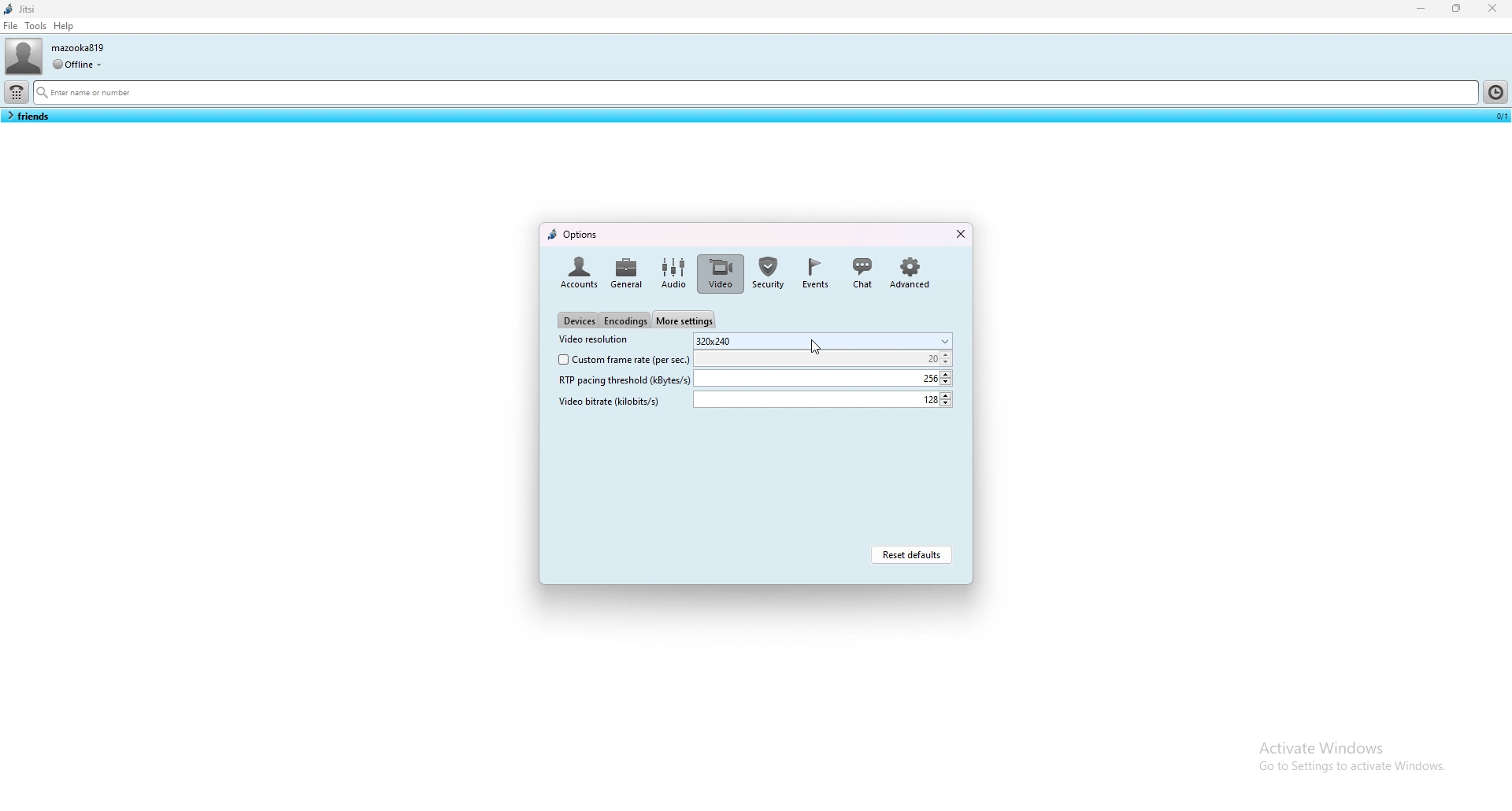 This screenshot has height=811, width=1512. I want to click on Events, so click(815, 272).